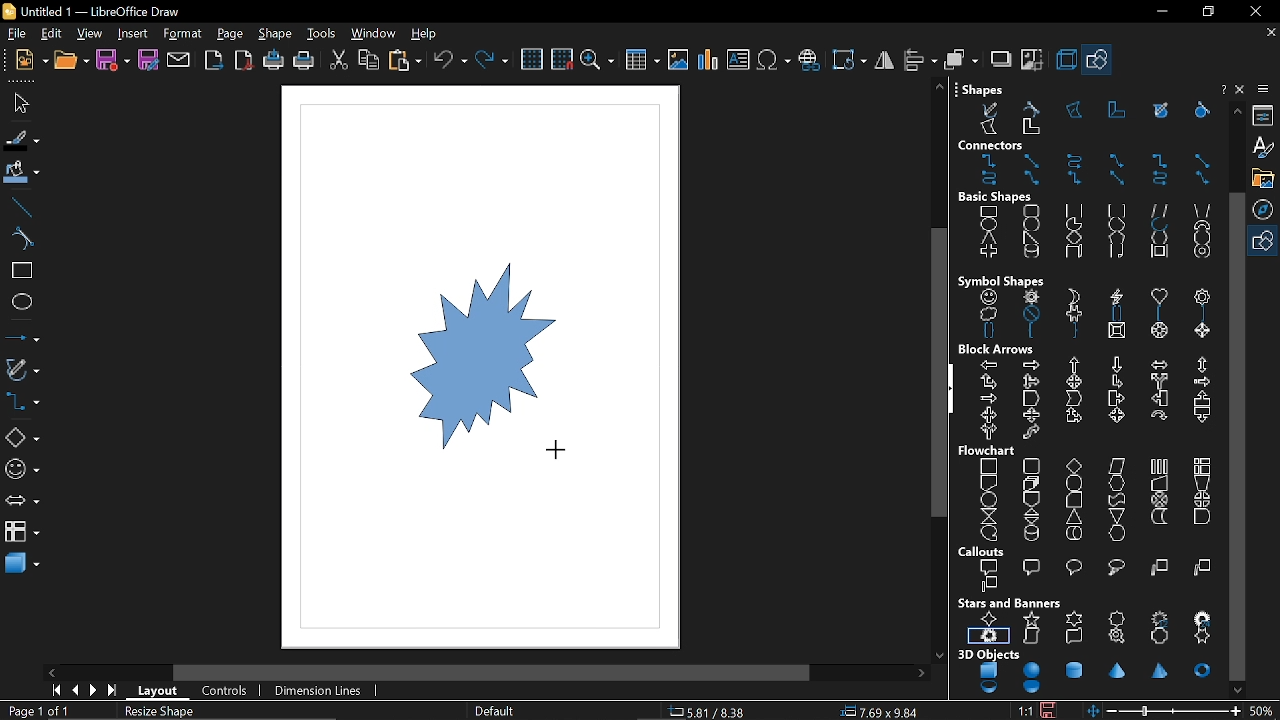 This screenshot has height=720, width=1280. I want to click on tools, so click(322, 34).